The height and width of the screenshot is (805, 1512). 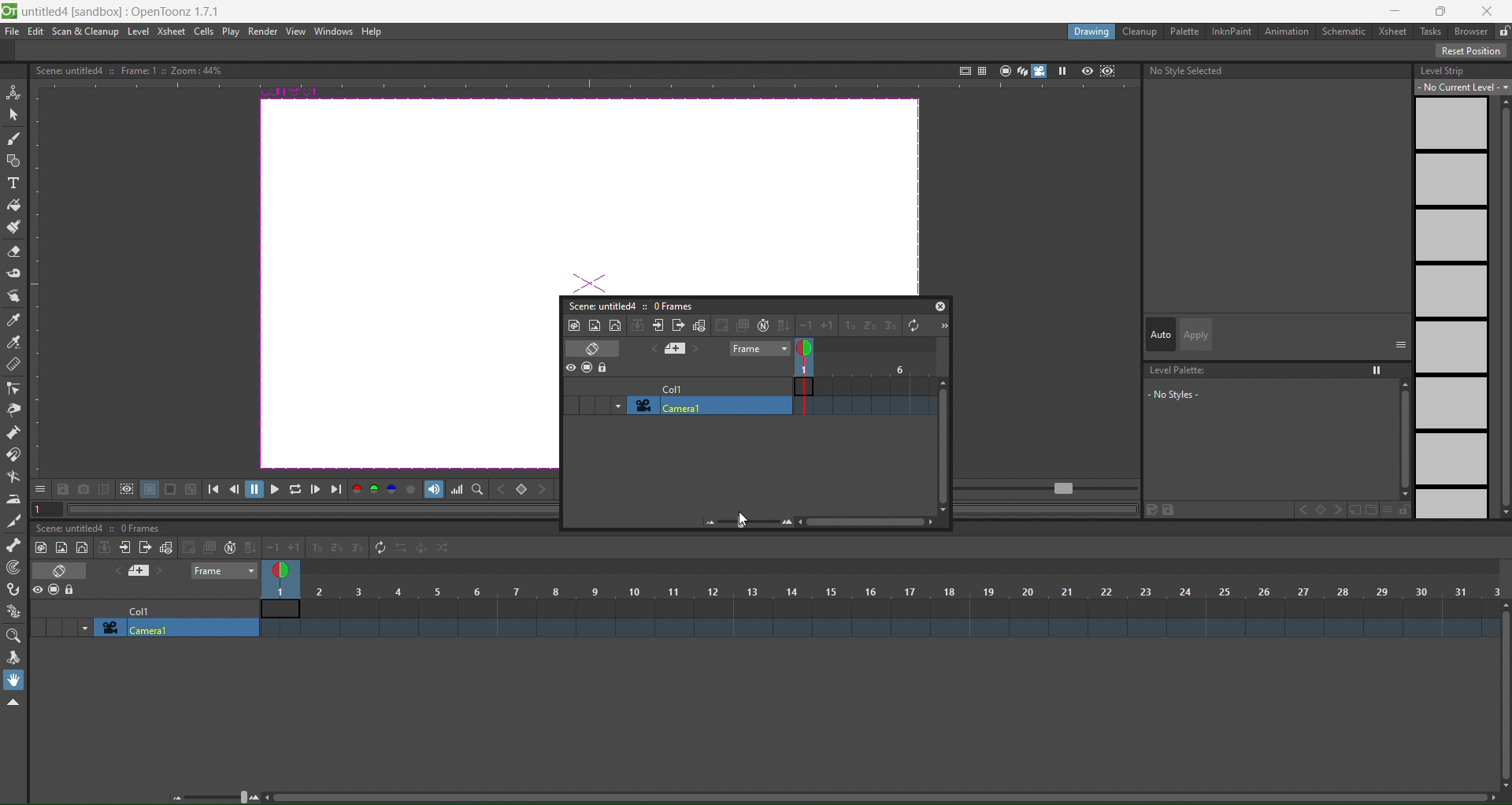 I want to click on rbg picker tool, so click(x=14, y=343).